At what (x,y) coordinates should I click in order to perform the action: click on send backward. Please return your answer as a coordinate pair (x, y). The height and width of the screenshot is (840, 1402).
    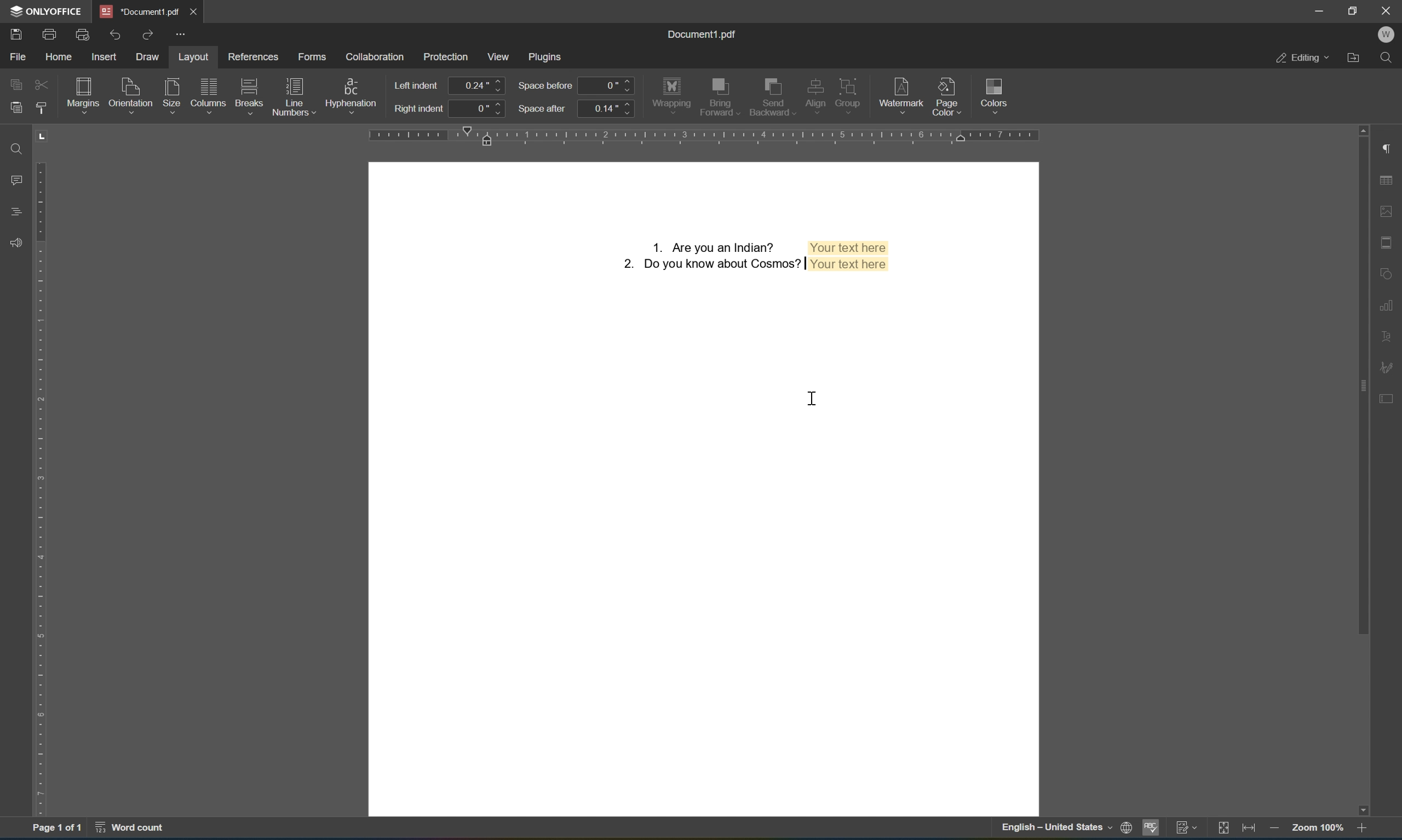
    Looking at the image, I should click on (772, 94).